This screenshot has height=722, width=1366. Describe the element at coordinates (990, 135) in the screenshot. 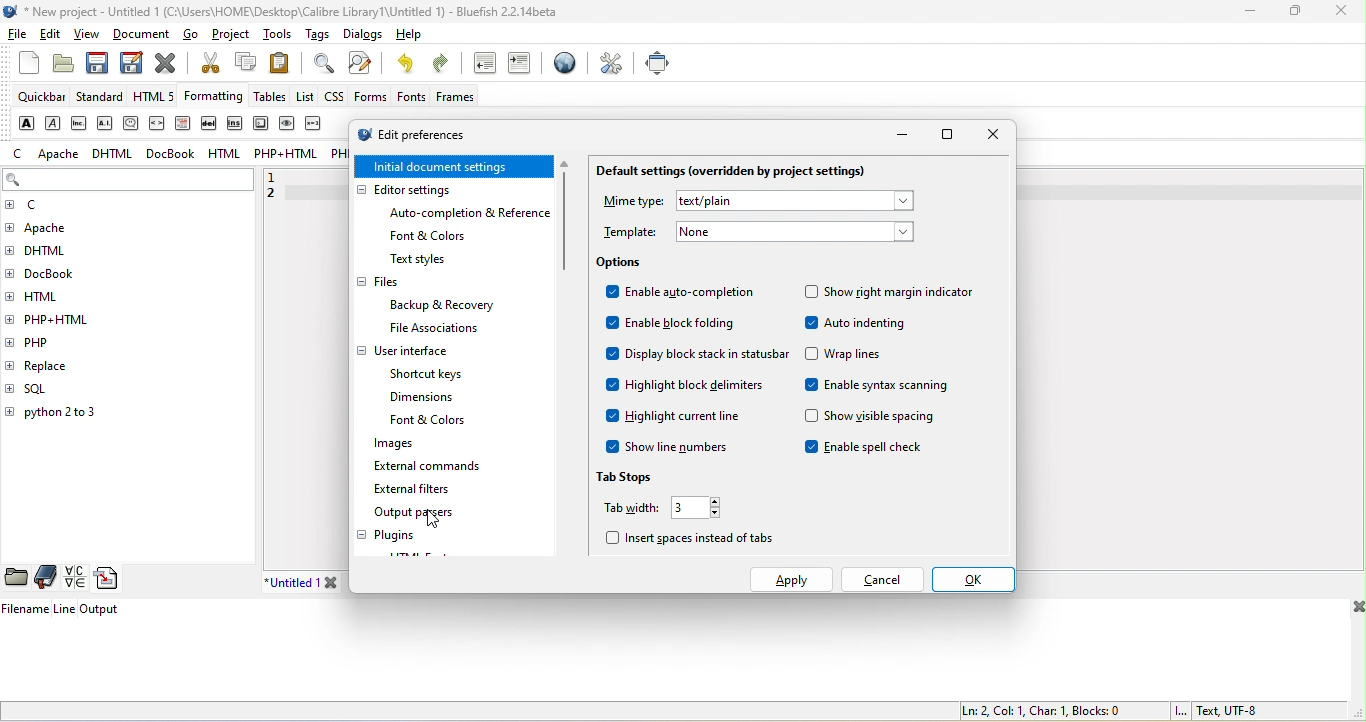

I see `close` at that location.